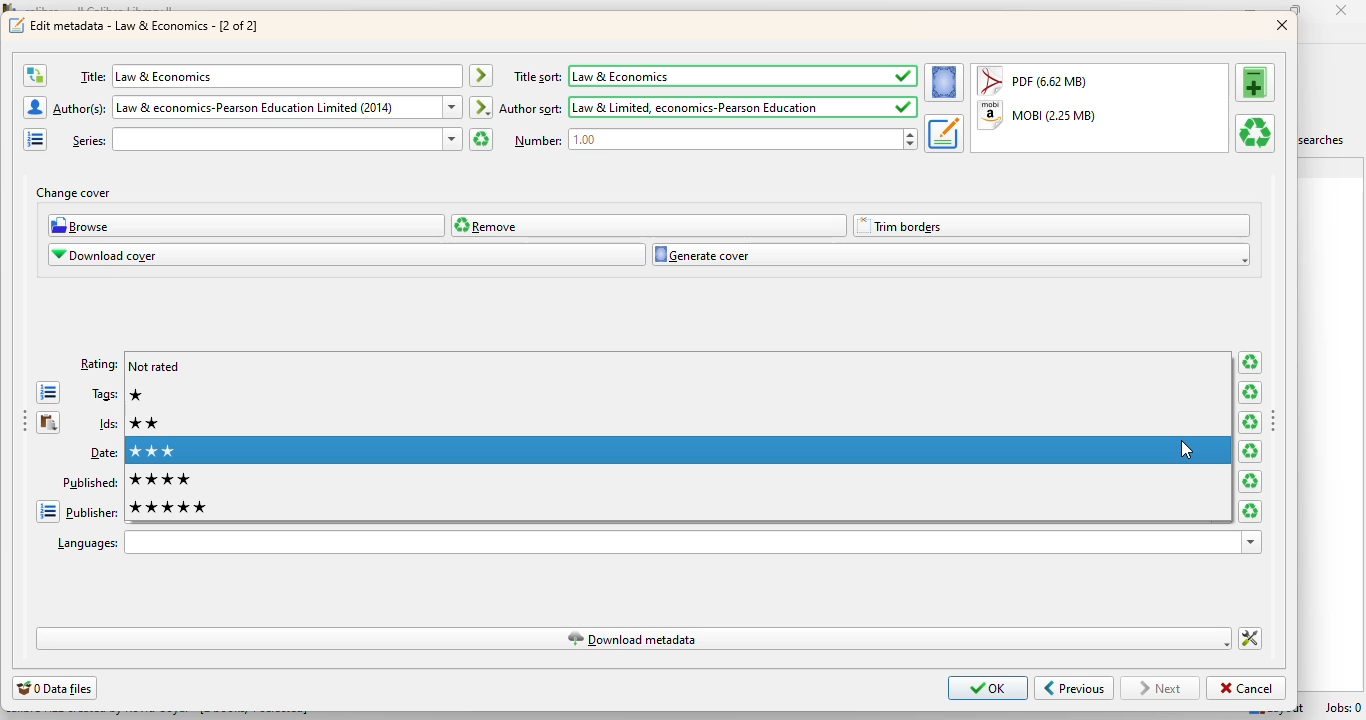  Describe the element at coordinates (943, 134) in the screenshot. I see `set the metadata for the book from the selected format` at that location.